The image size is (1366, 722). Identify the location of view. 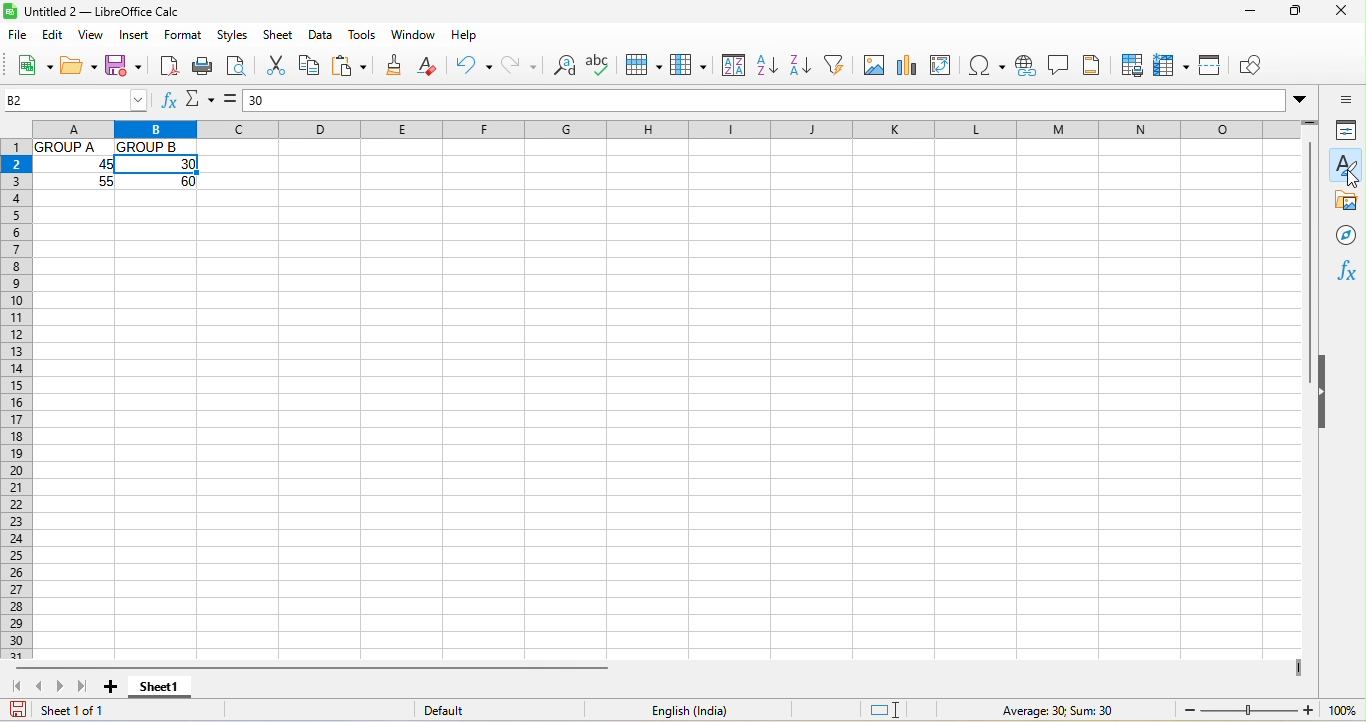
(94, 36).